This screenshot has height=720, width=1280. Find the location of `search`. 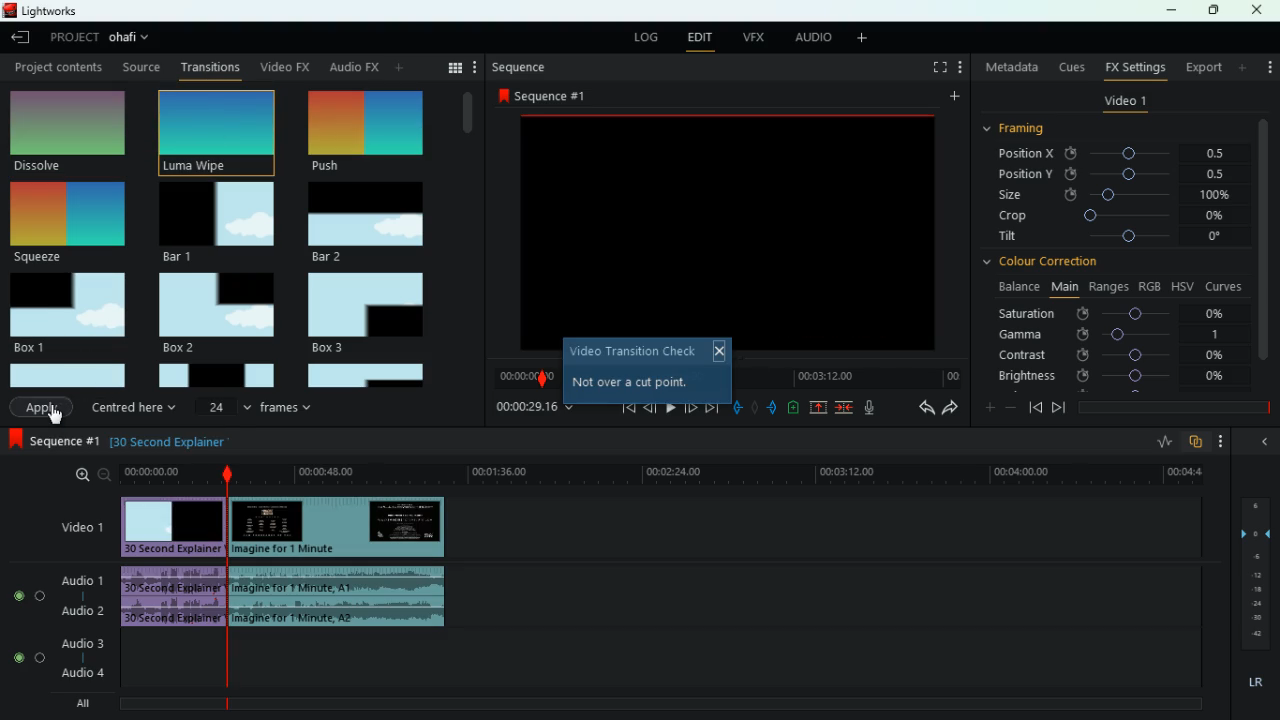

search is located at coordinates (432, 67).